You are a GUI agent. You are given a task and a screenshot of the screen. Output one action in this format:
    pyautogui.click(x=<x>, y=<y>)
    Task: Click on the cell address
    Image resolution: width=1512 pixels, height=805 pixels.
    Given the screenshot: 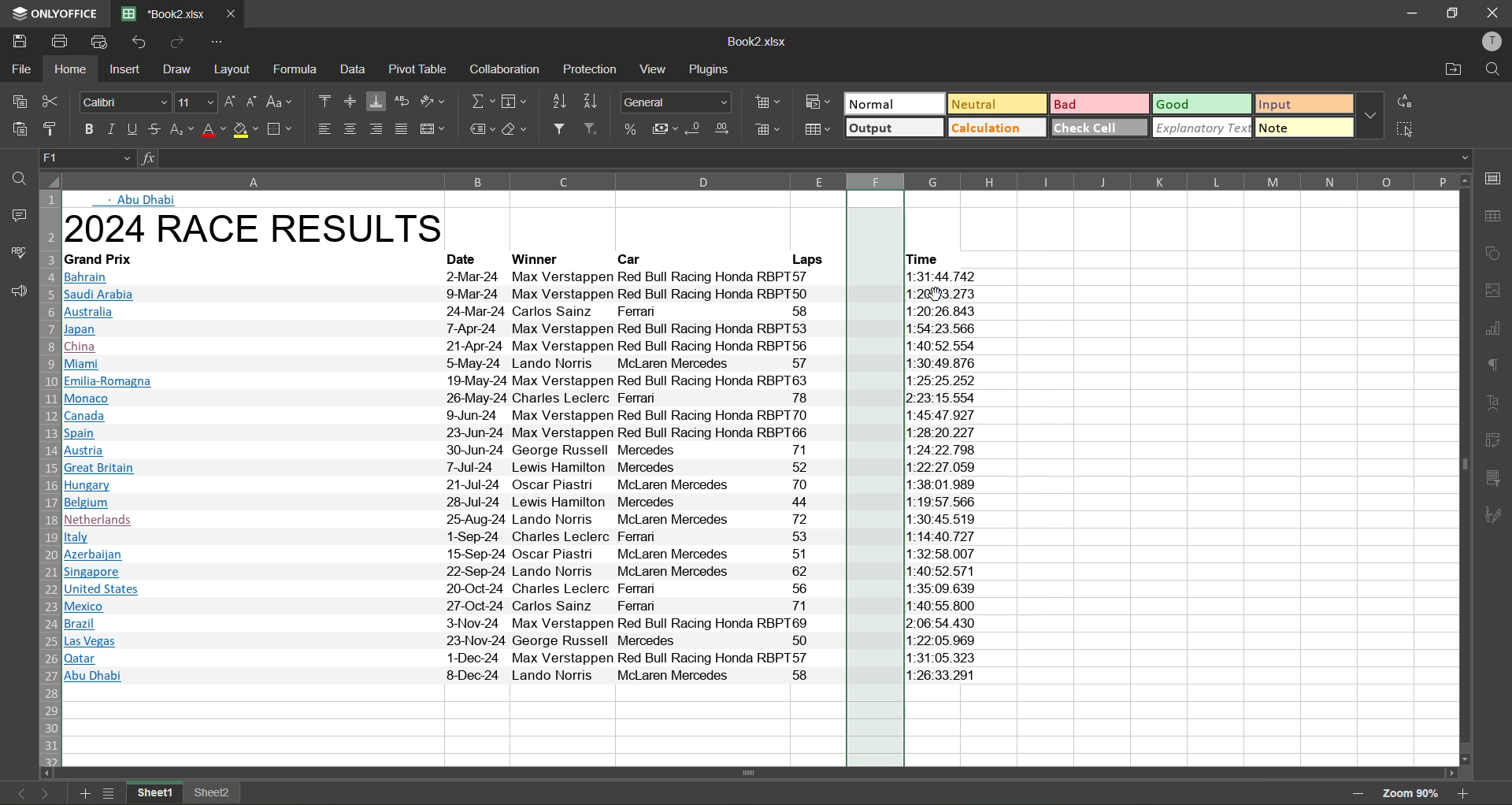 What is the action you would take?
    pyautogui.click(x=85, y=157)
    